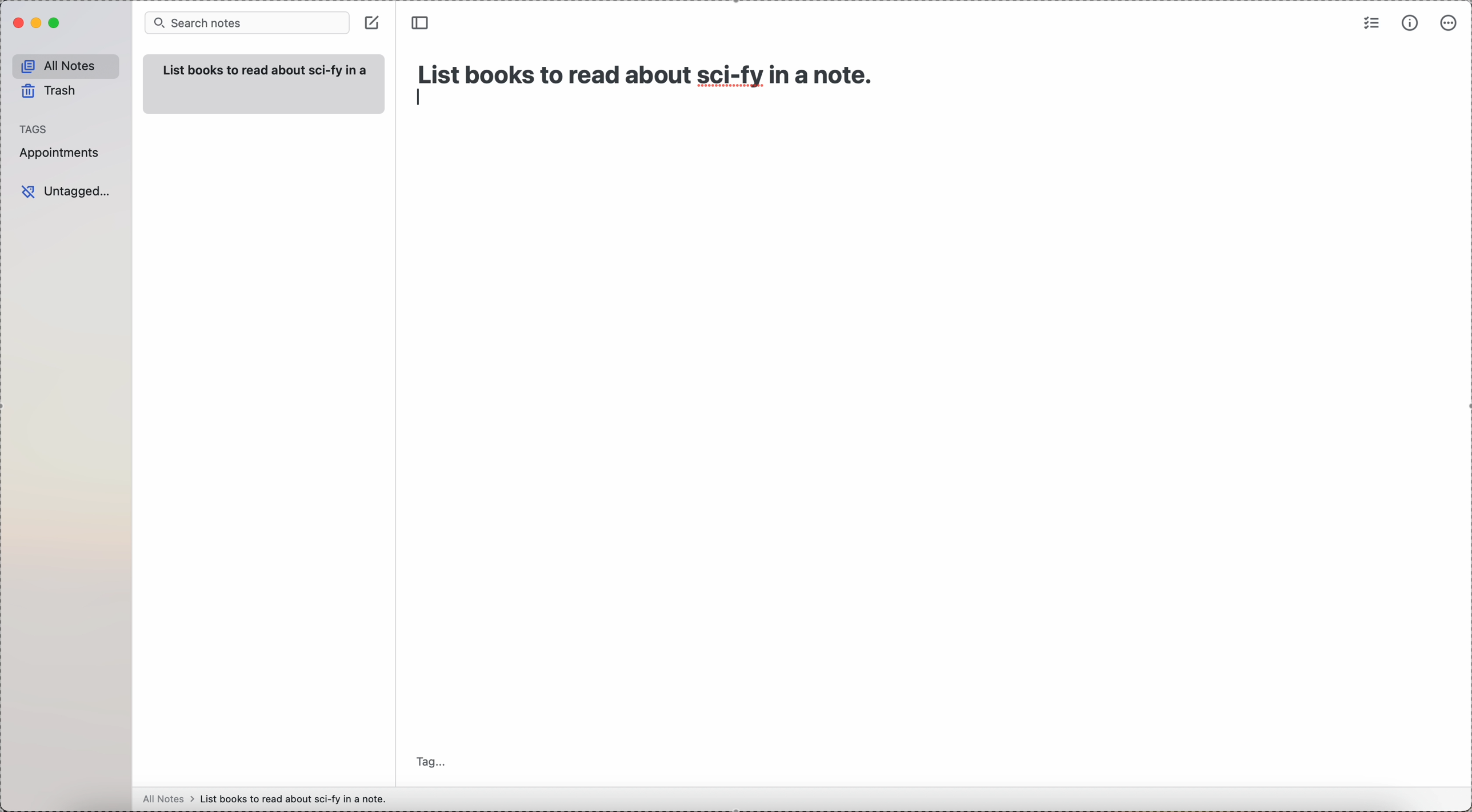 This screenshot has width=1472, height=812. Describe the element at coordinates (246, 23) in the screenshot. I see `search bar` at that location.